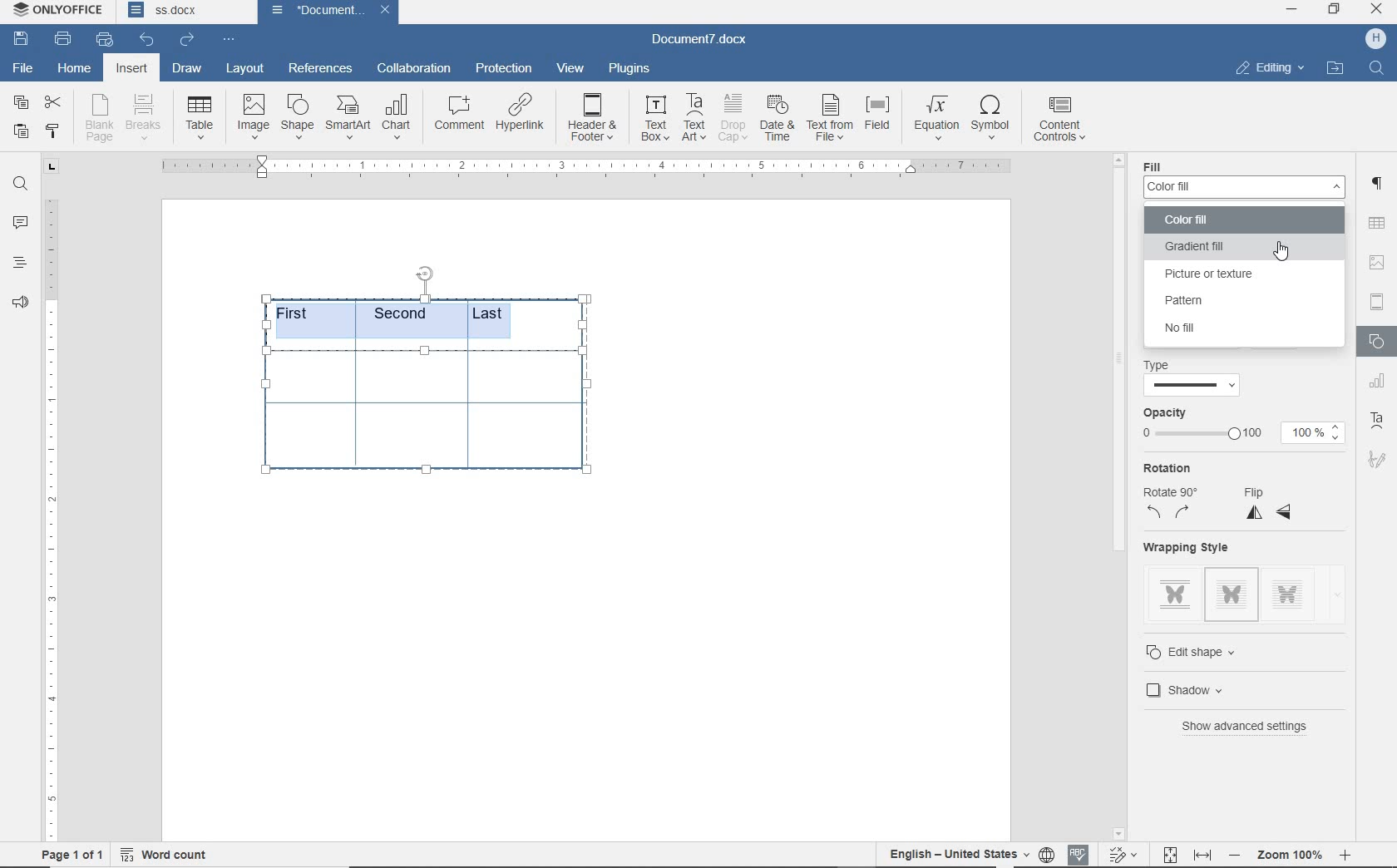  I want to click on style 2, so click(1232, 594).